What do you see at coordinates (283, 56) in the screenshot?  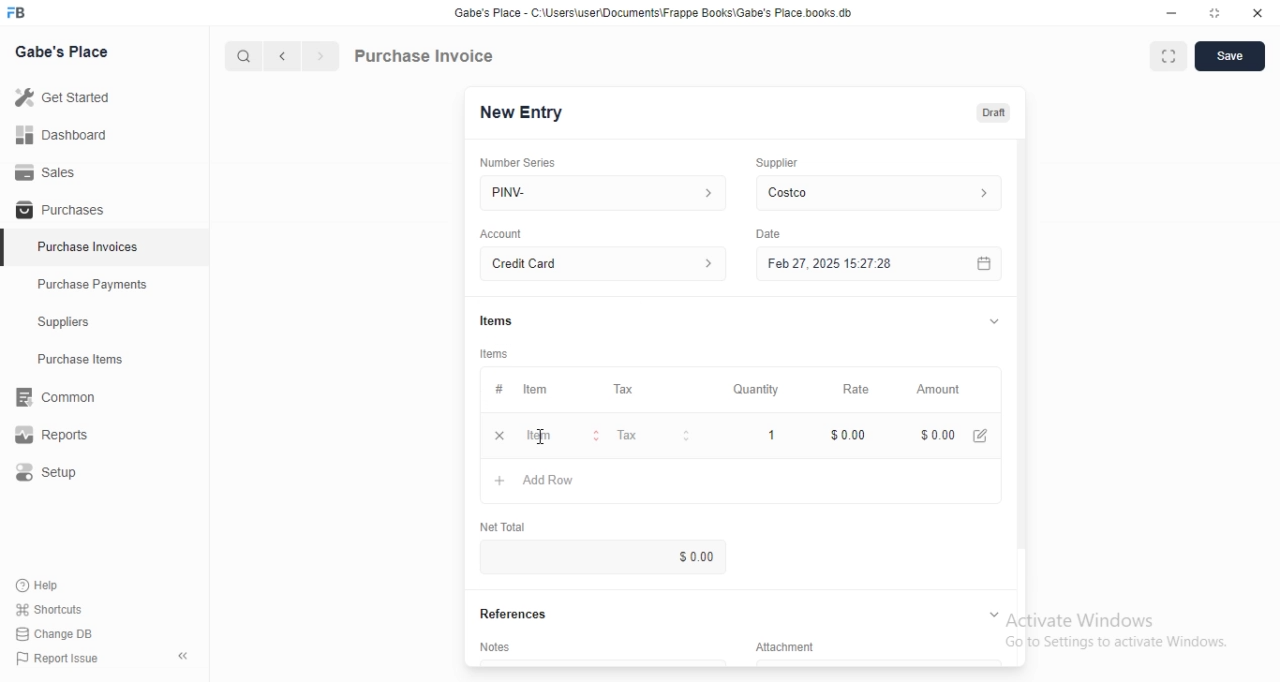 I see `Previous button` at bounding box center [283, 56].